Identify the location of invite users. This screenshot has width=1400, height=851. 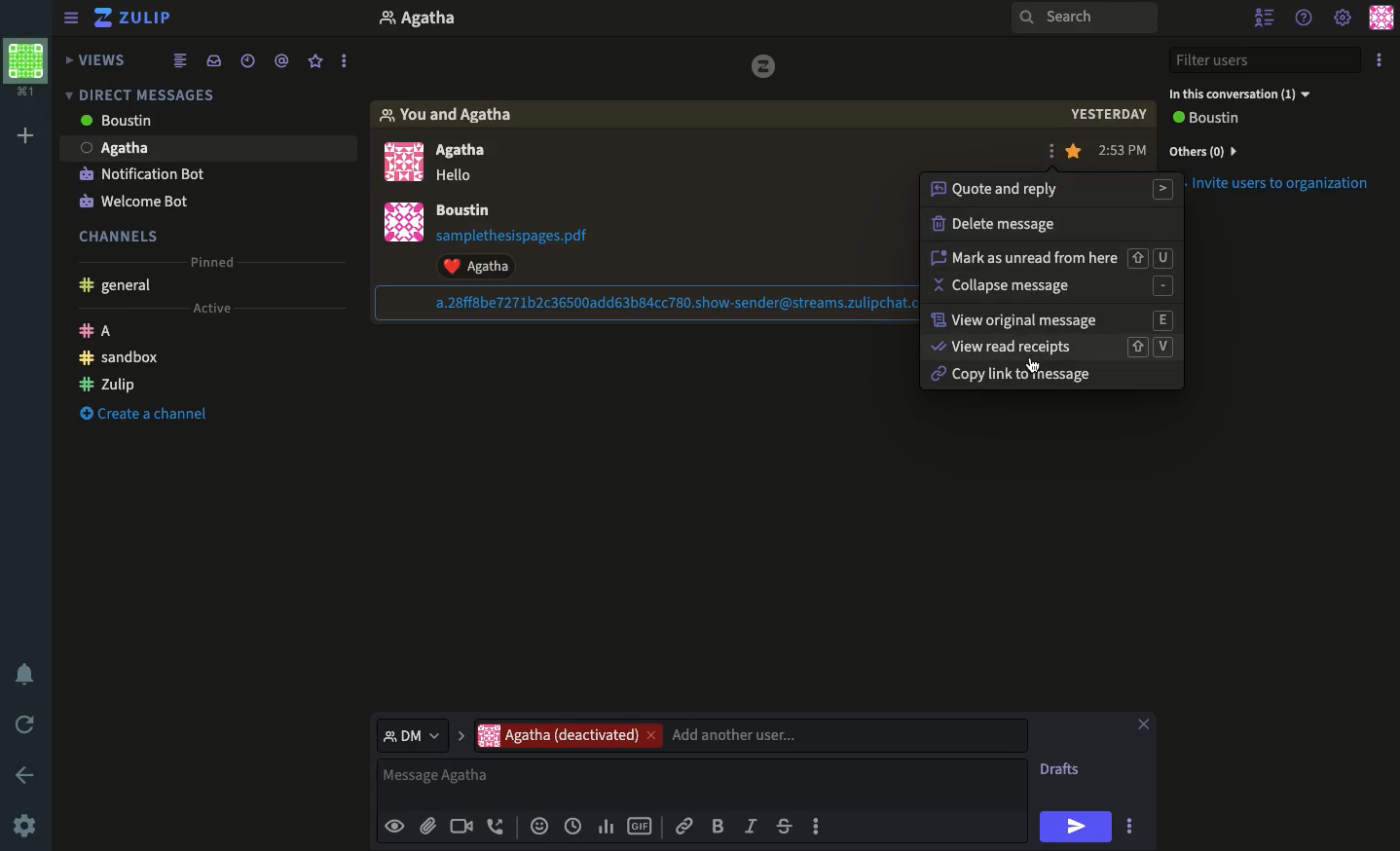
(1285, 191).